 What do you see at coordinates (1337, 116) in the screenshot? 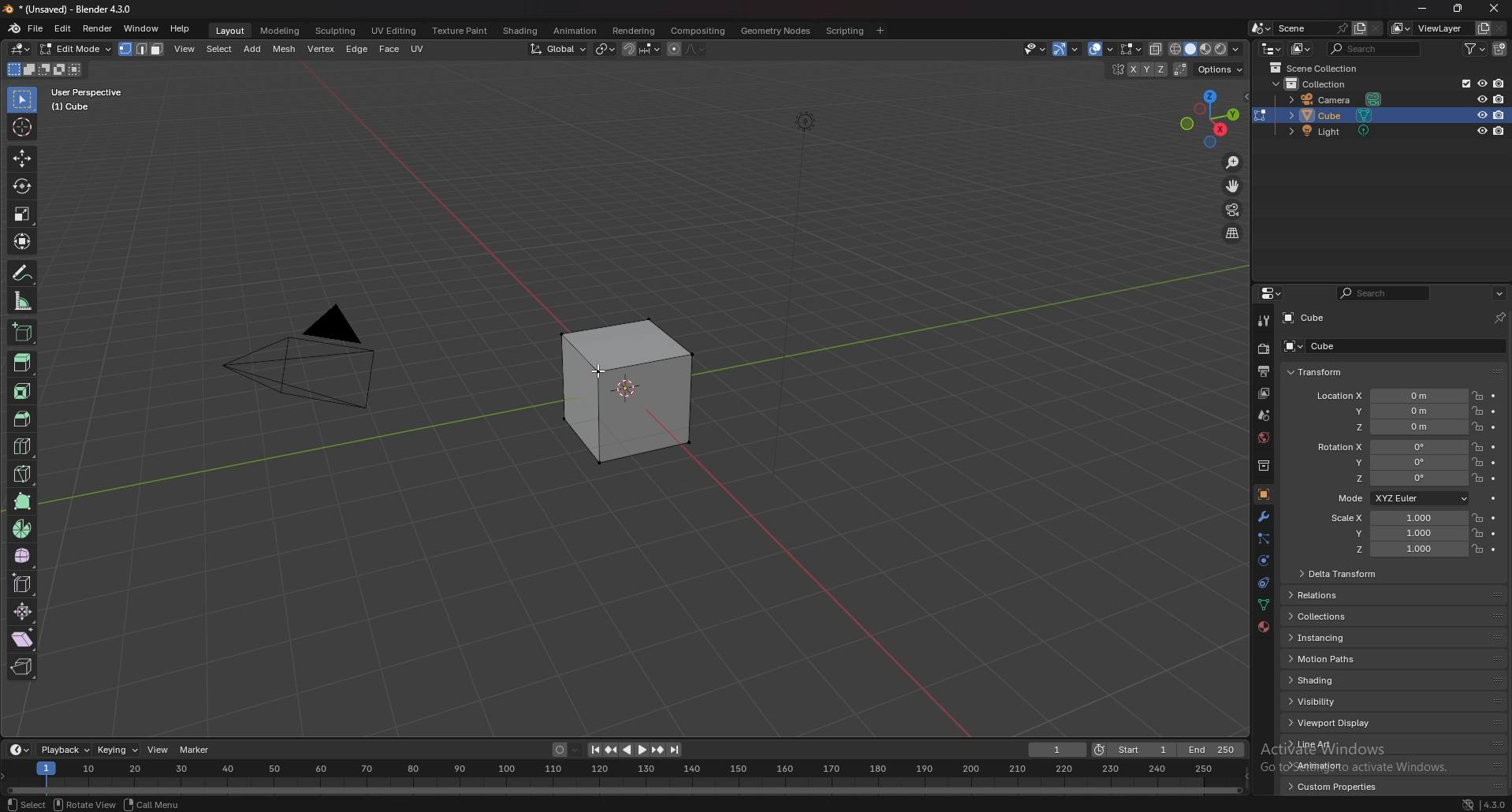
I see `cube` at bounding box center [1337, 116].